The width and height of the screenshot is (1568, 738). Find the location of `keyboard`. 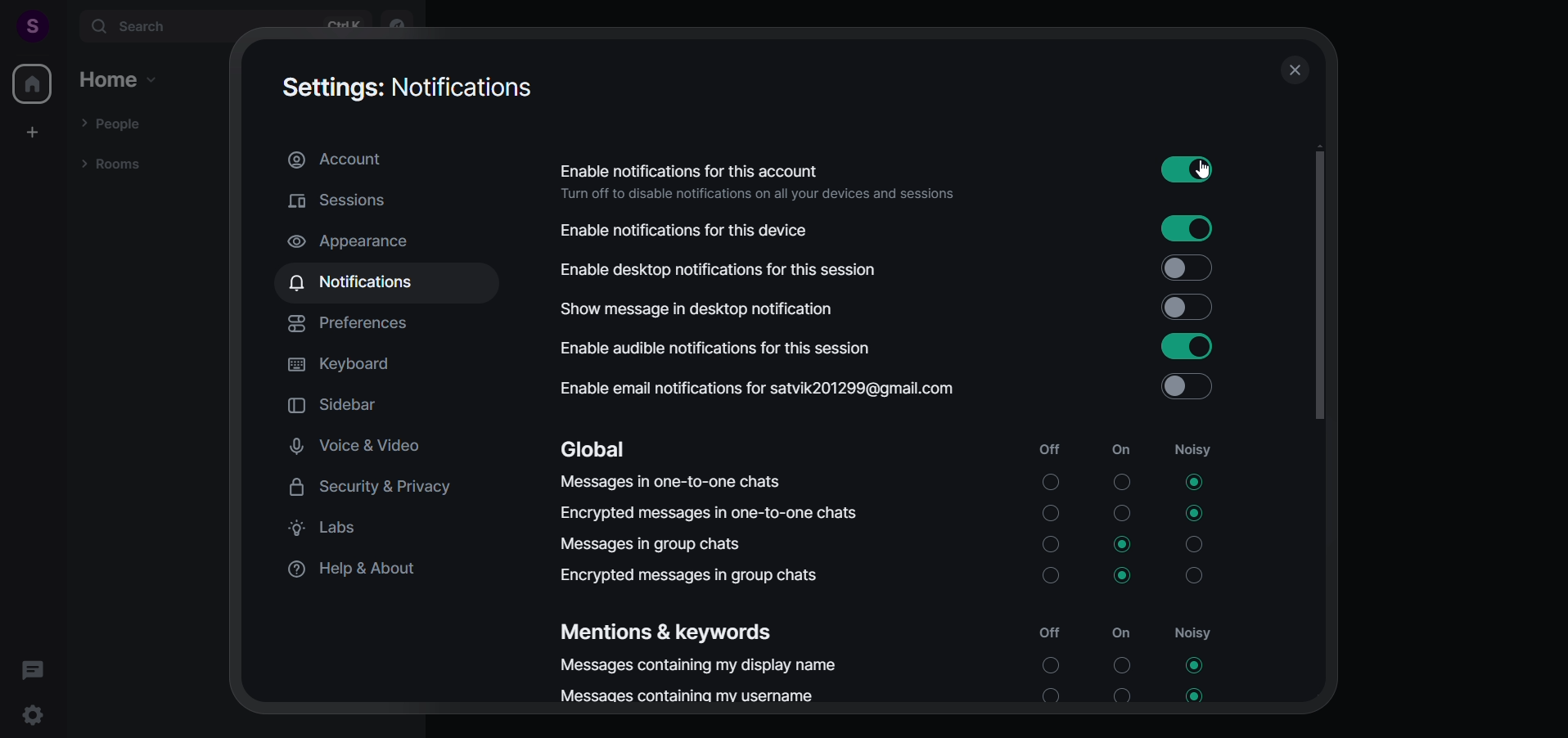

keyboard is located at coordinates (352, 367).